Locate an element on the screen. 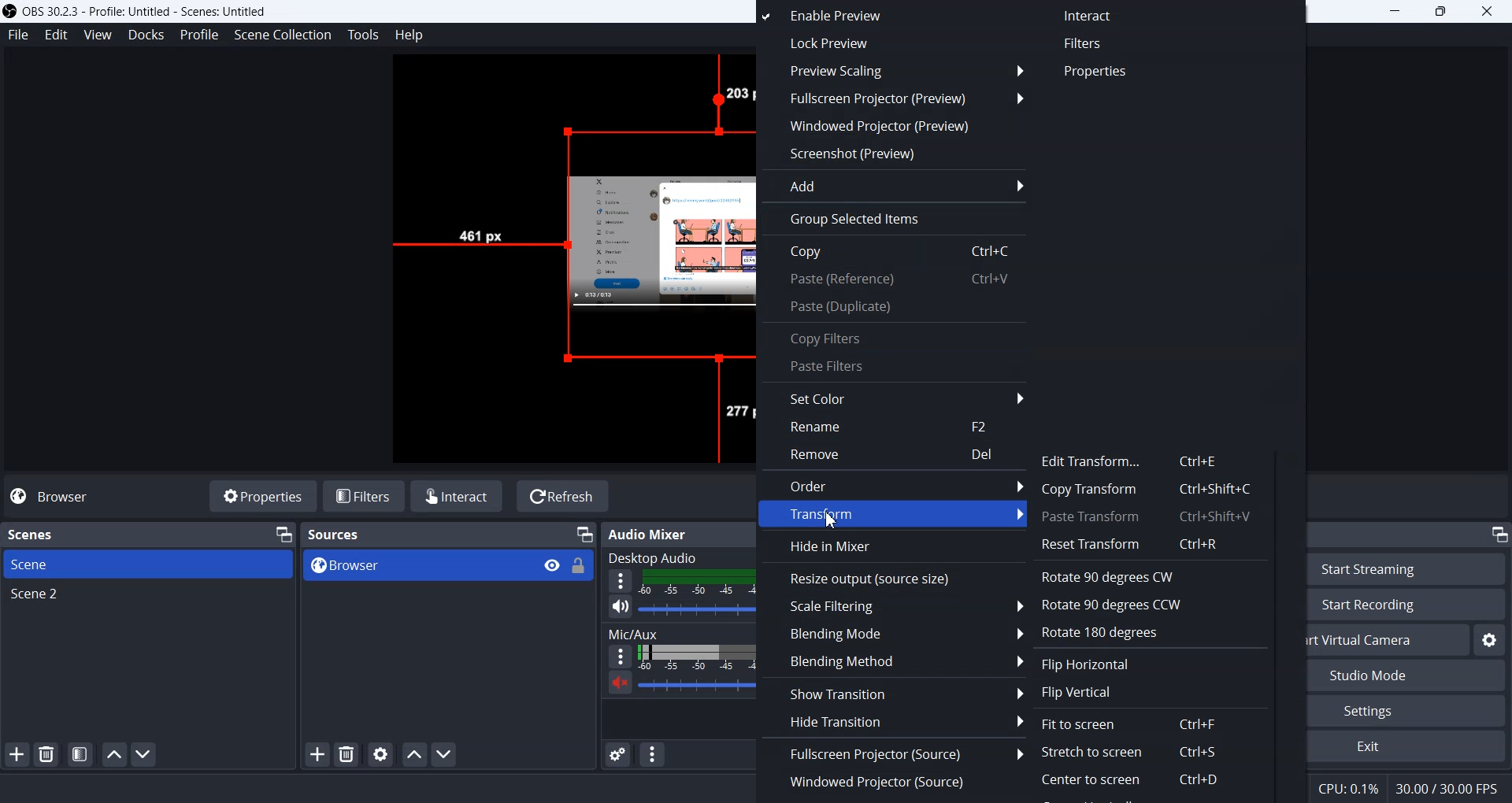  Refresh is located at coordinates (561, 497).